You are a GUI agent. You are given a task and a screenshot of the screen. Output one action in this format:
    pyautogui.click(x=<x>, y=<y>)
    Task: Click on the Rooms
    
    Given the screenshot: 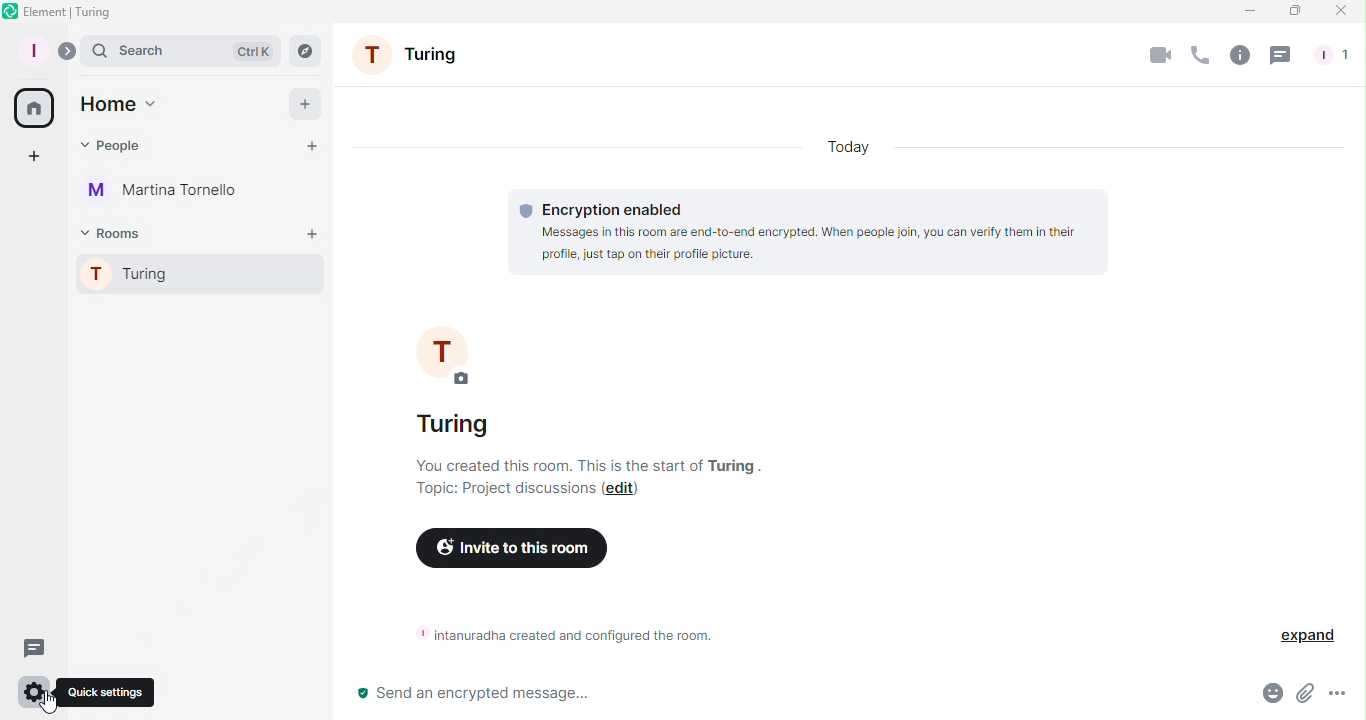 What is the action you would take?
    pyautogui.click(x=121, y=232)
    